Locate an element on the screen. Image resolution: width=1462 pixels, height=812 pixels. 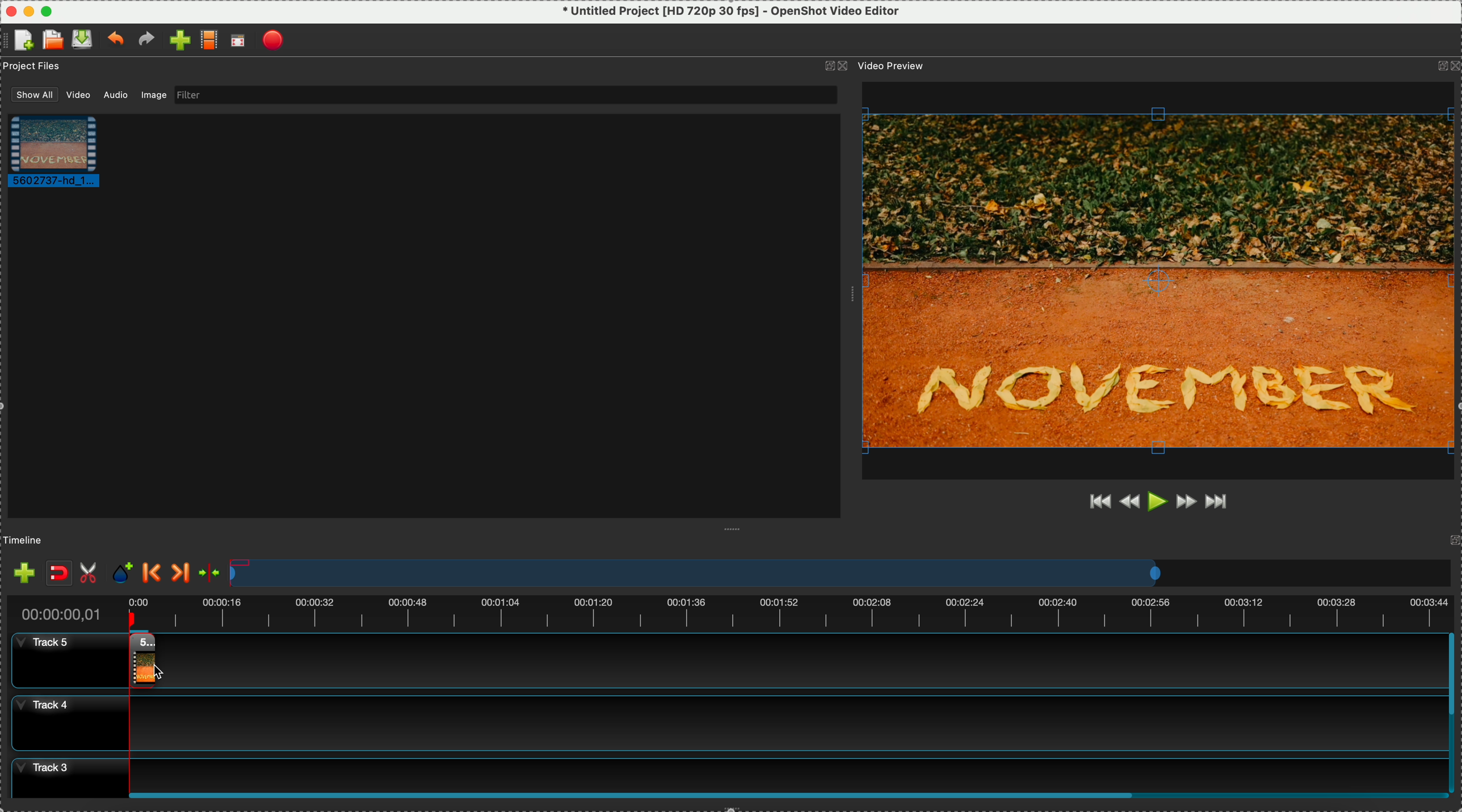
next marker is located at coordinates (182, 573).